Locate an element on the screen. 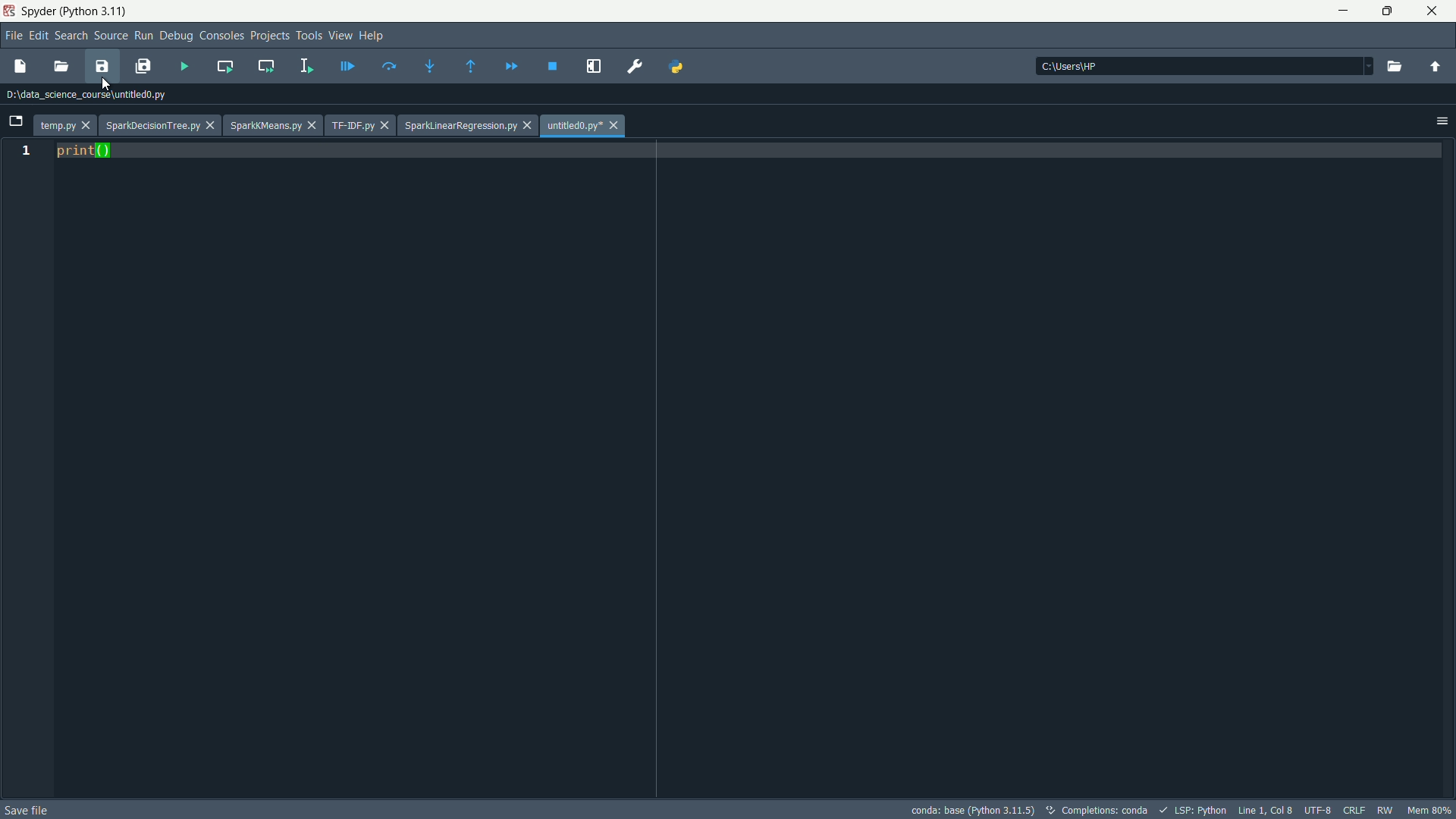 The width and height of the screenshot is (1456, 819). line number is located at coordinates (27, 151).